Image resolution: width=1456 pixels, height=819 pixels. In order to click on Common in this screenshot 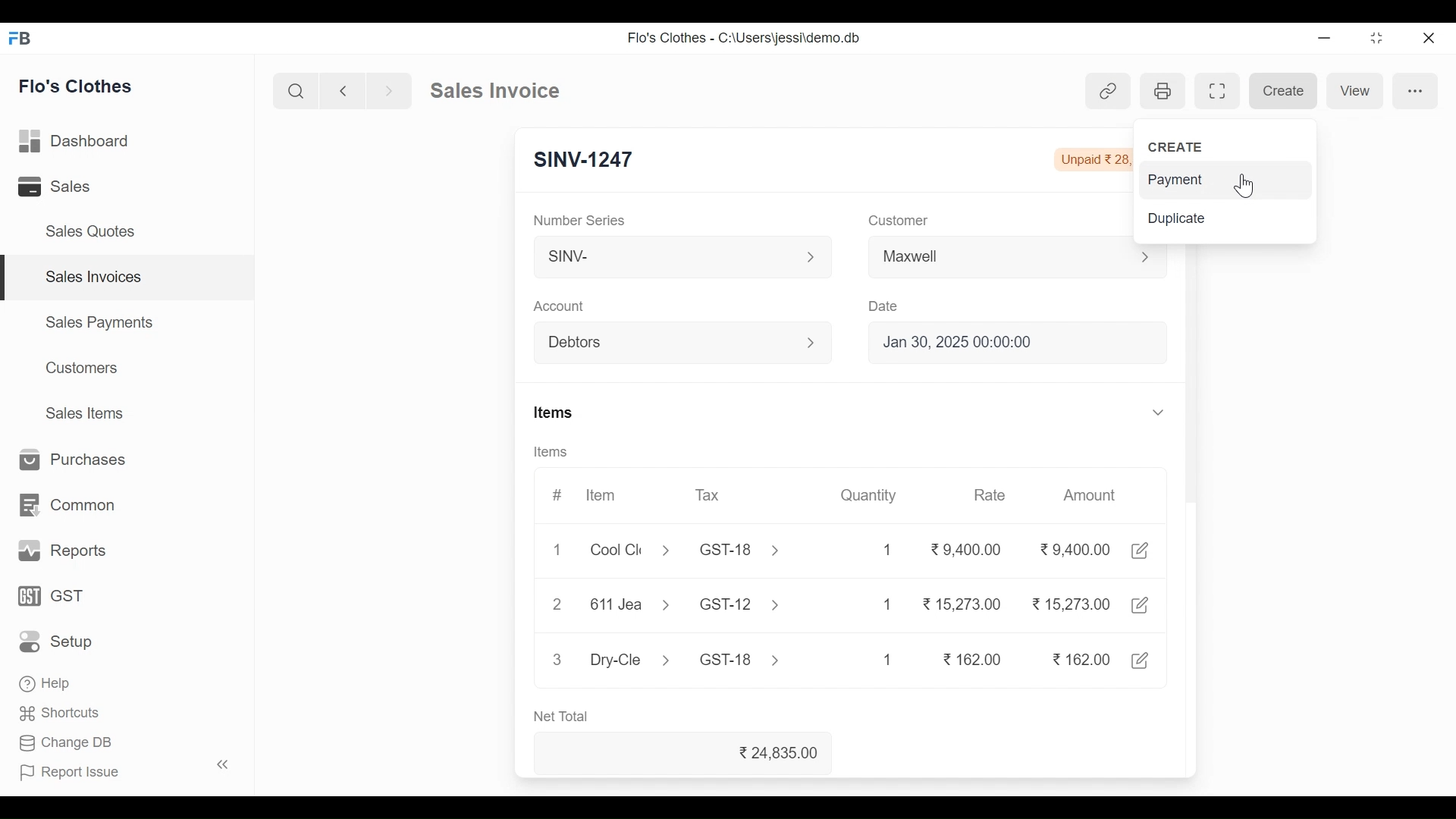, I will do `click(64, 506)`.